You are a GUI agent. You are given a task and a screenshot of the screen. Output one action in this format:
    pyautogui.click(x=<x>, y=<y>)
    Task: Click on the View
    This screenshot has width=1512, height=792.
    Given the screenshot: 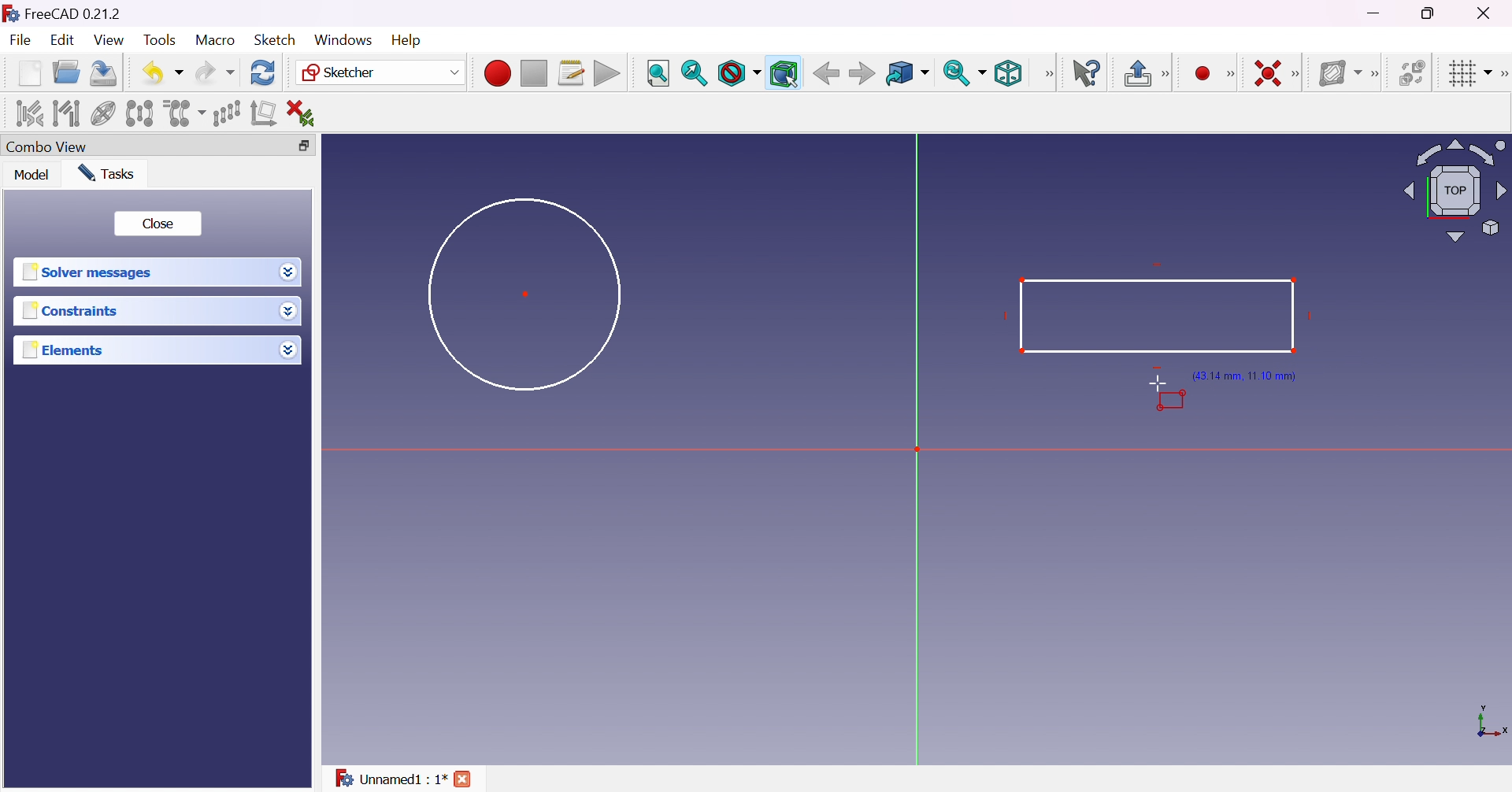 What is the action you would take?
    pyautogui.click(x=1050, y=73)
    